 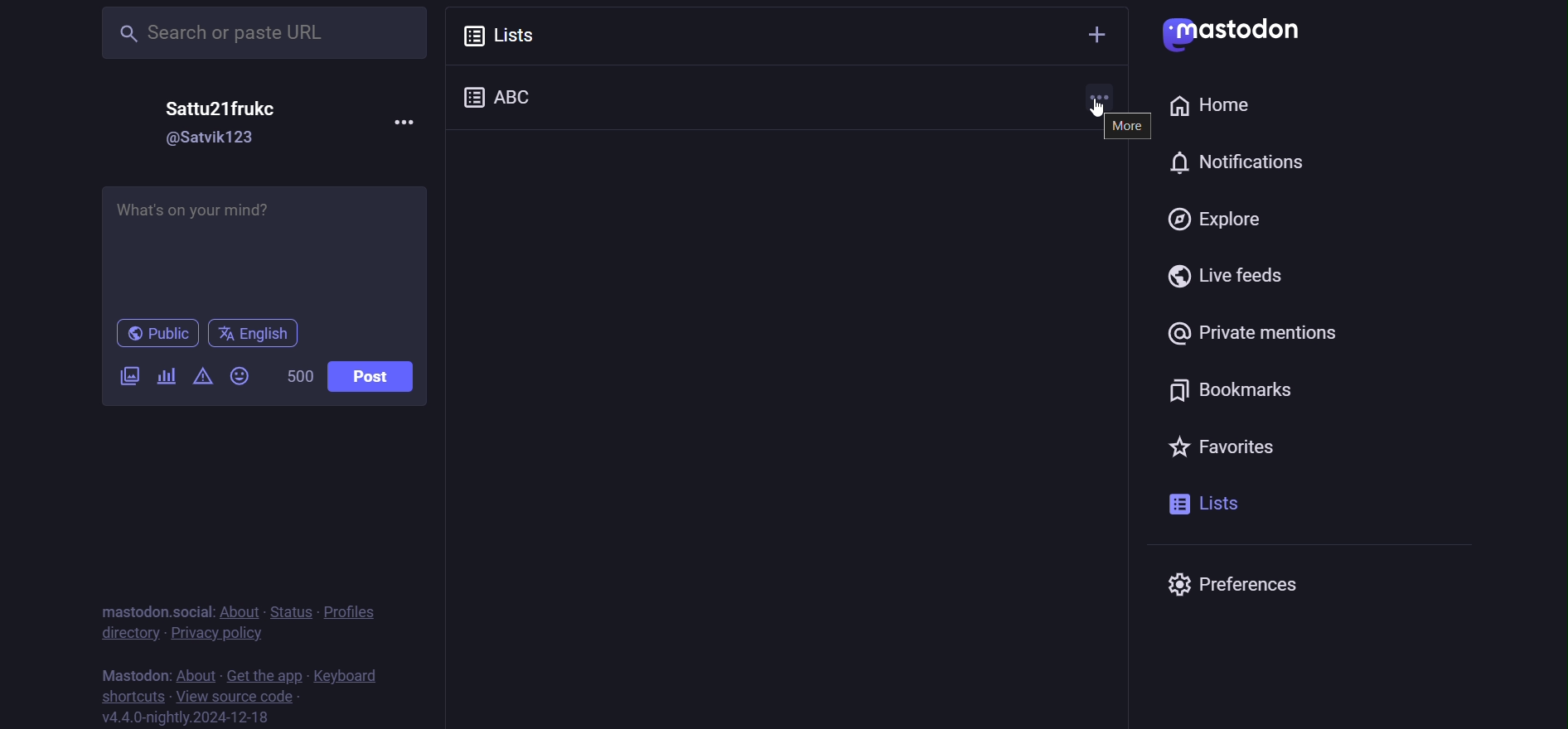 I want to click on live feed, so click(x=1233, y=276).